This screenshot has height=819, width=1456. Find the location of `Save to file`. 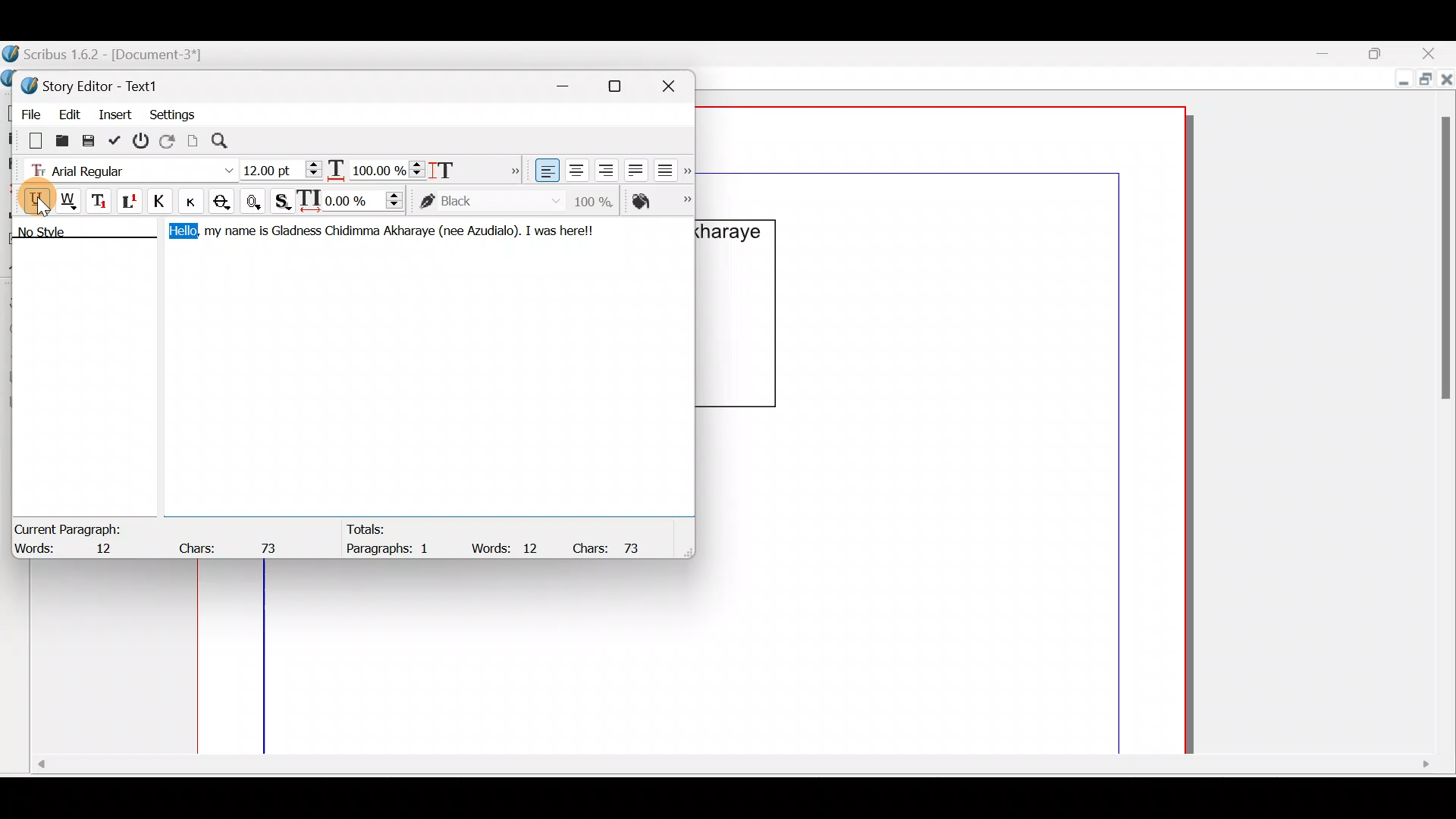

Save to file is located at coordinates (89, 140).